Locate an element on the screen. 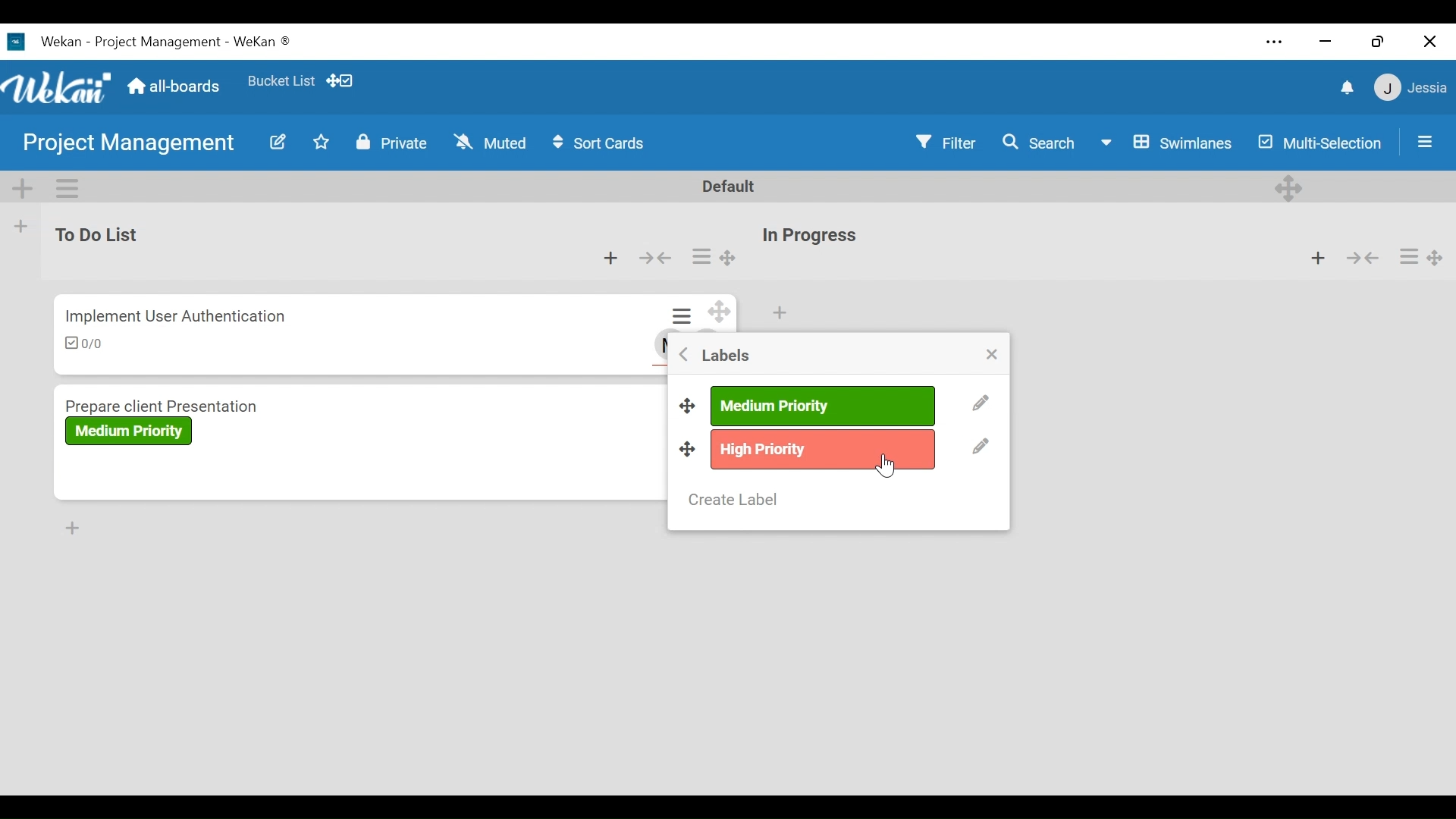 Image resolution: width=1456 pixels, height=819 pixels. Sort Cards is located at coordinates (602, 143).